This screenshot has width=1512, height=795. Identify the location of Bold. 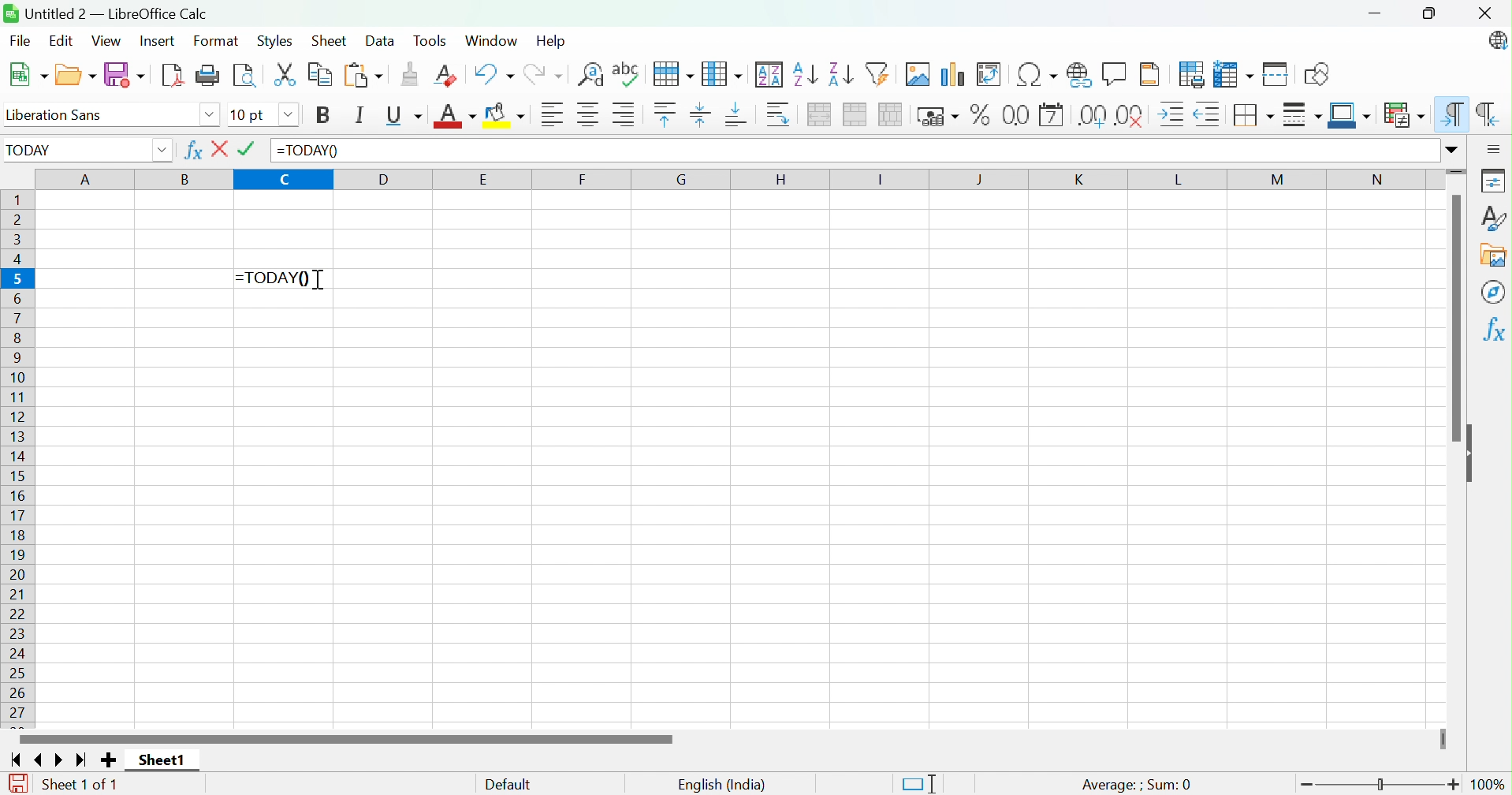
(326, 117).